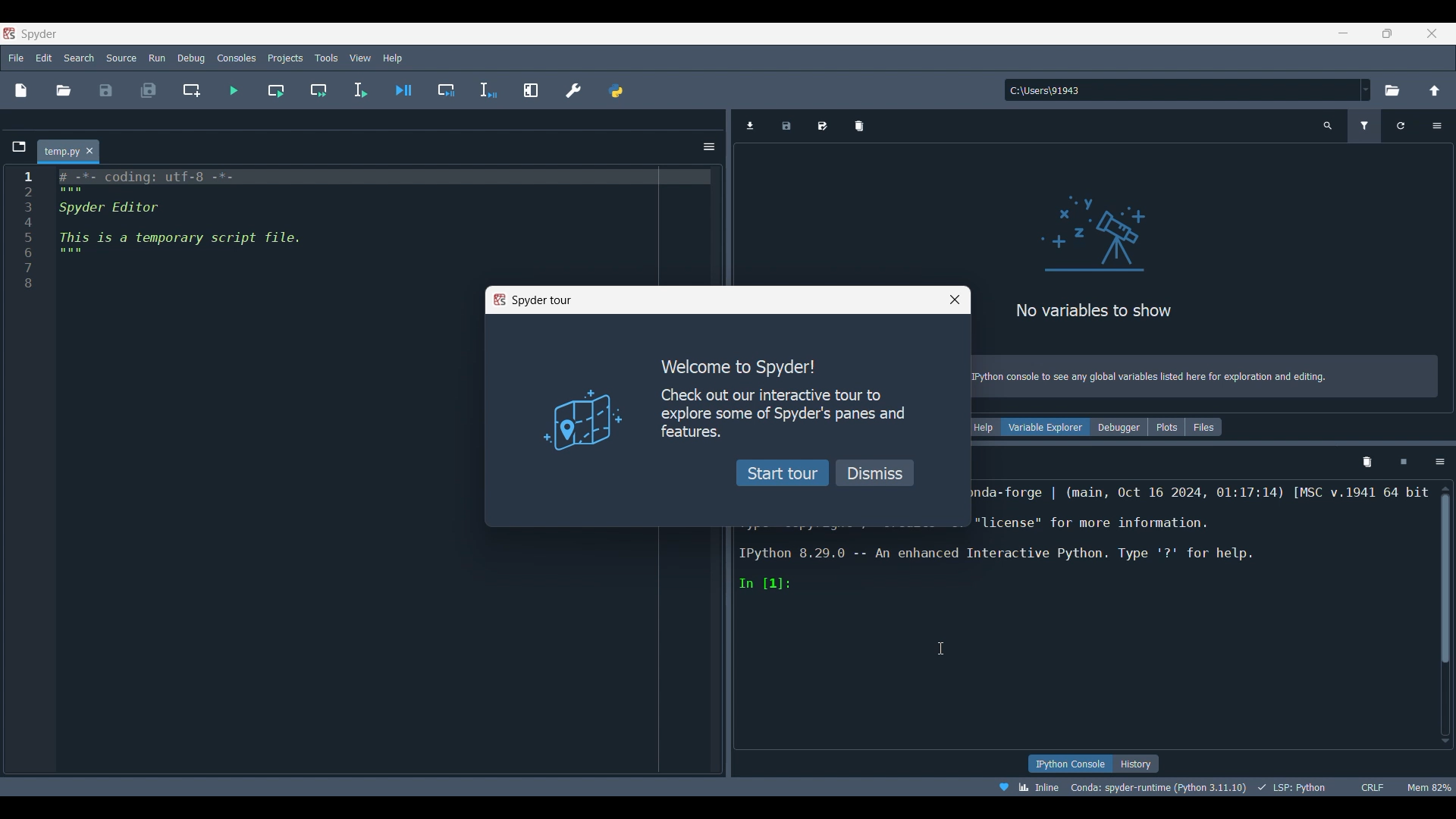  What do you see at coordinates (535, 301) in the screenshot?
I see `spyder tour` at bounding box center [535, 301].